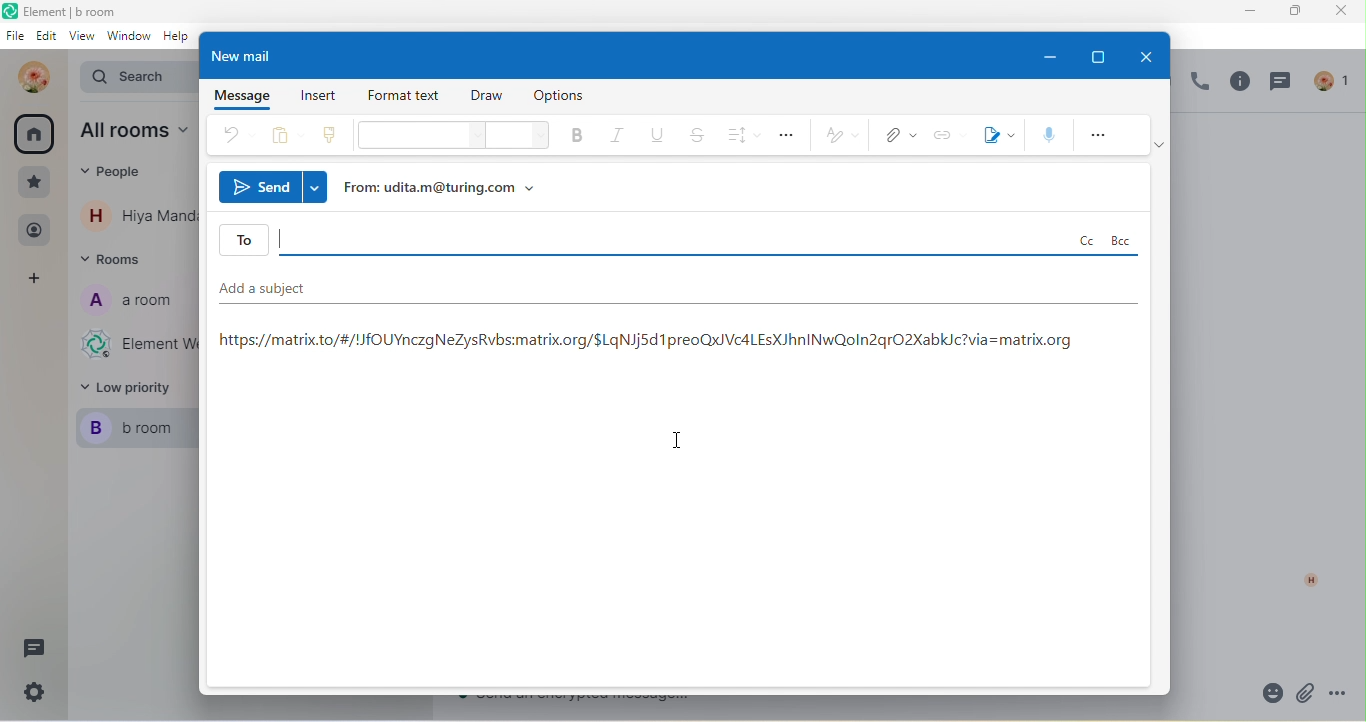 This screenshot has height=722, width=1366. What do you see at coordinates (114, 172) in the screenshot?
I see `eople` at bounding box center [114, 172].